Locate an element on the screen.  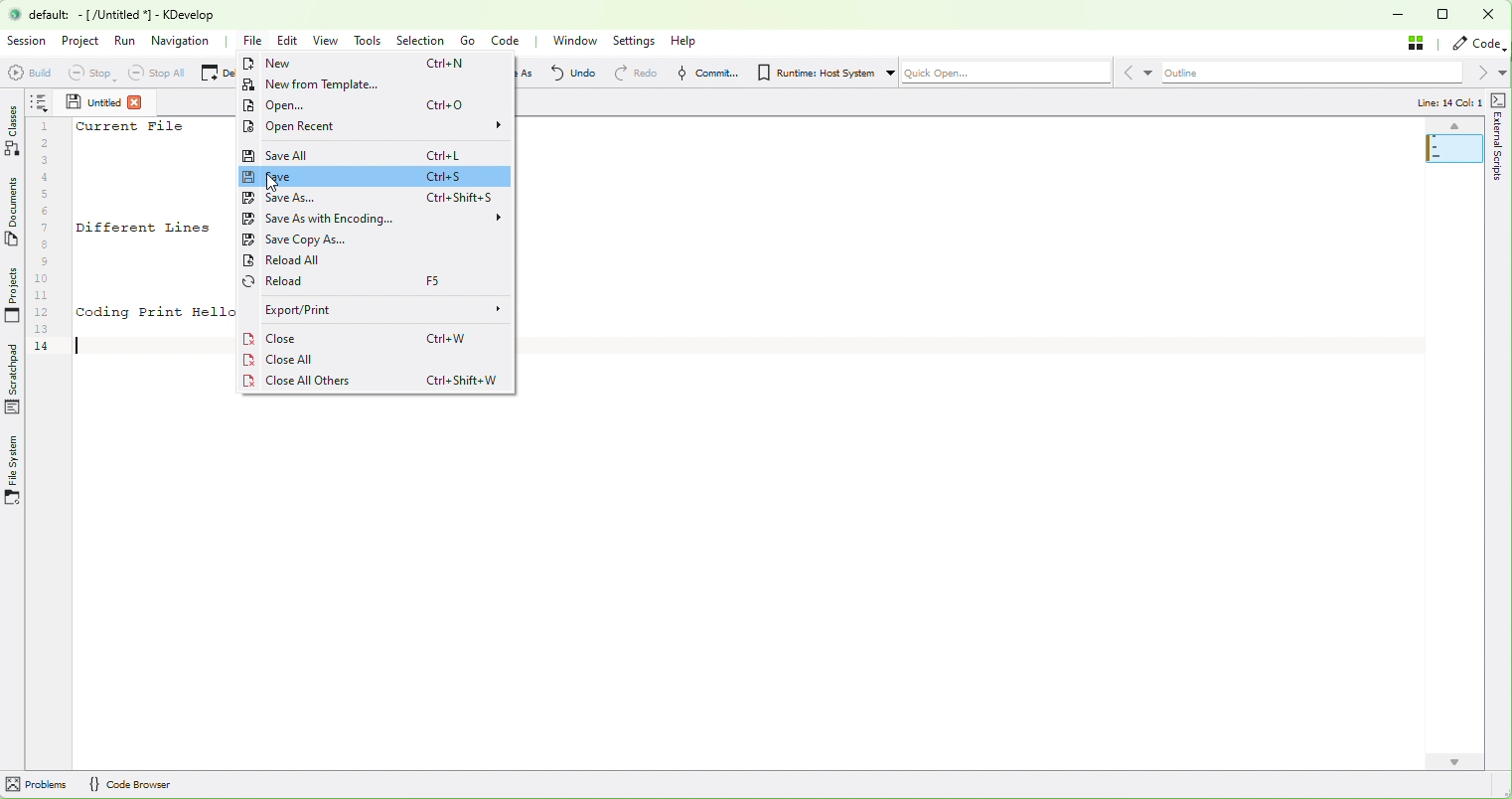
Stash is located at coordinates (1421, 44).